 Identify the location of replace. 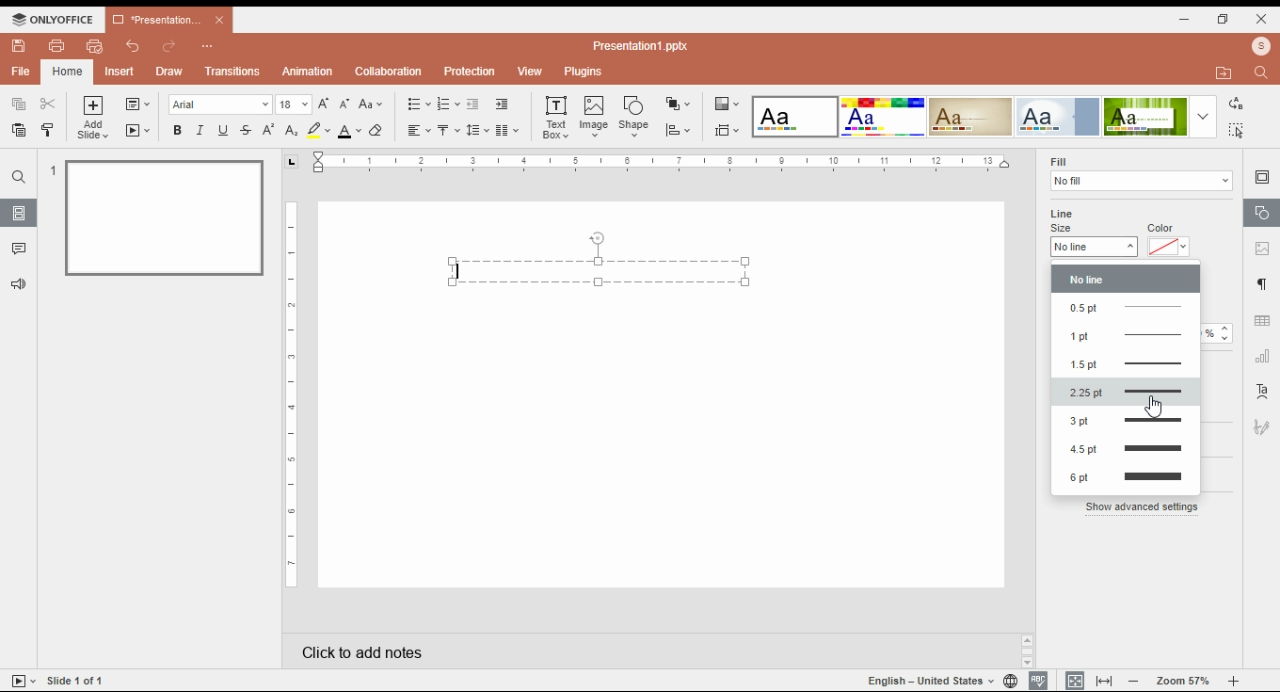
(1237, 102).